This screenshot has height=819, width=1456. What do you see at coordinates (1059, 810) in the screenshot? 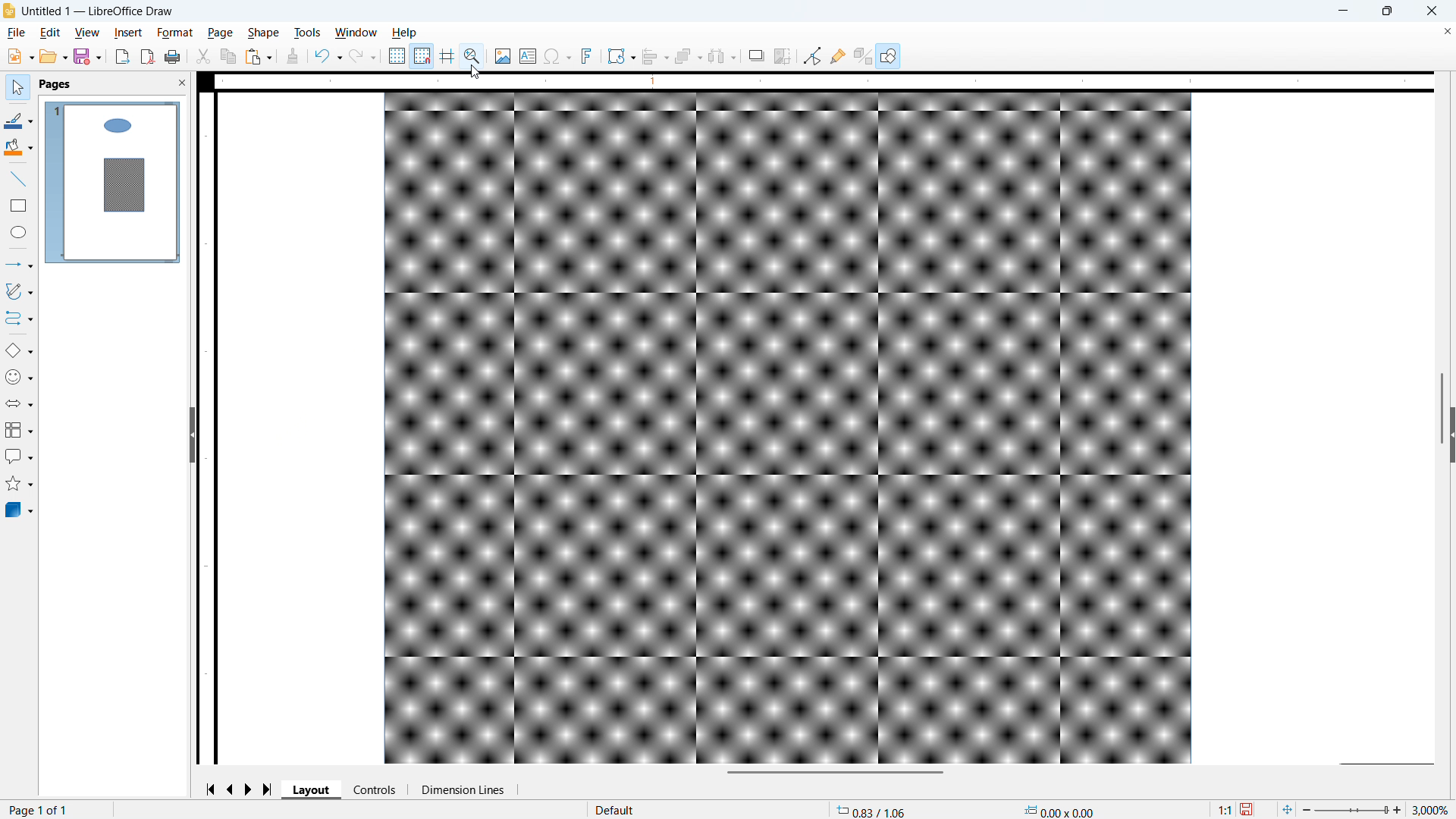
I see `Object dimensions ` at bounding box center [1059, 810].